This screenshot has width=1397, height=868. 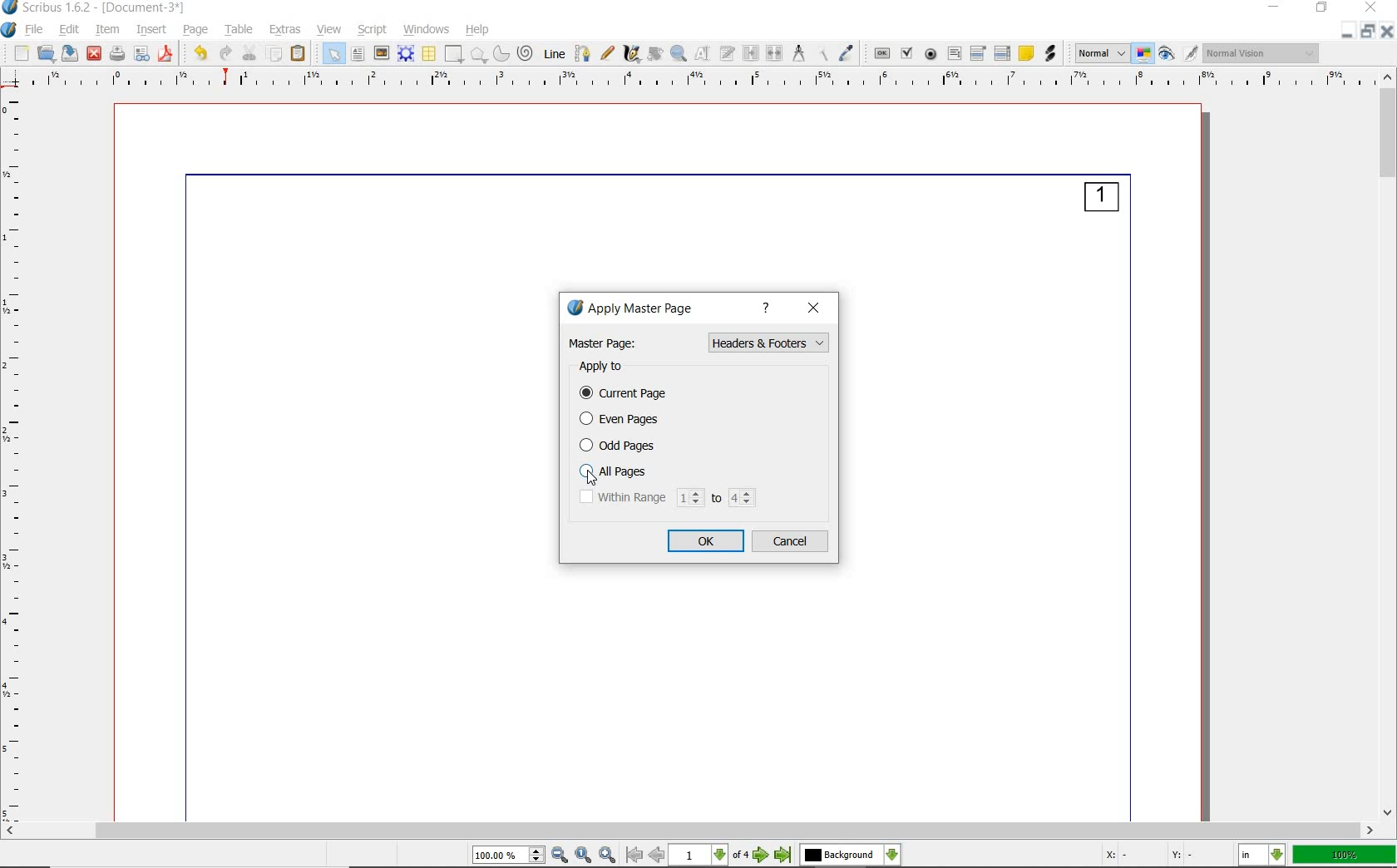 What do you see at coordinates (610, 855) in the screenshot?
I see `zoom in` at bounding box center [610, 855].